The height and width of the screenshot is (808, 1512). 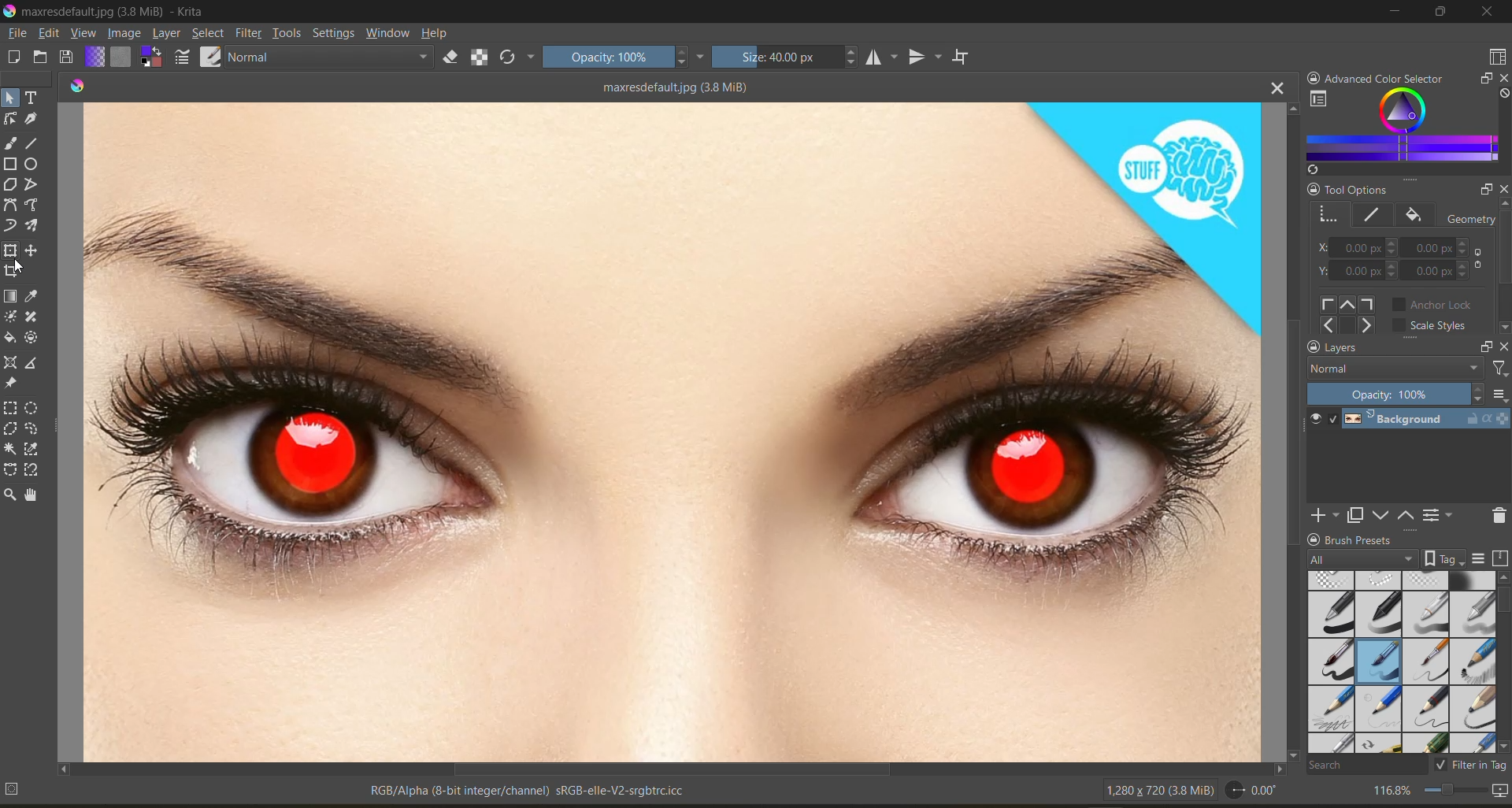 What do you see at coordinates (1440, 304) in the screenshot?
I see `anchor lock` at bounding box center [1440, 304].